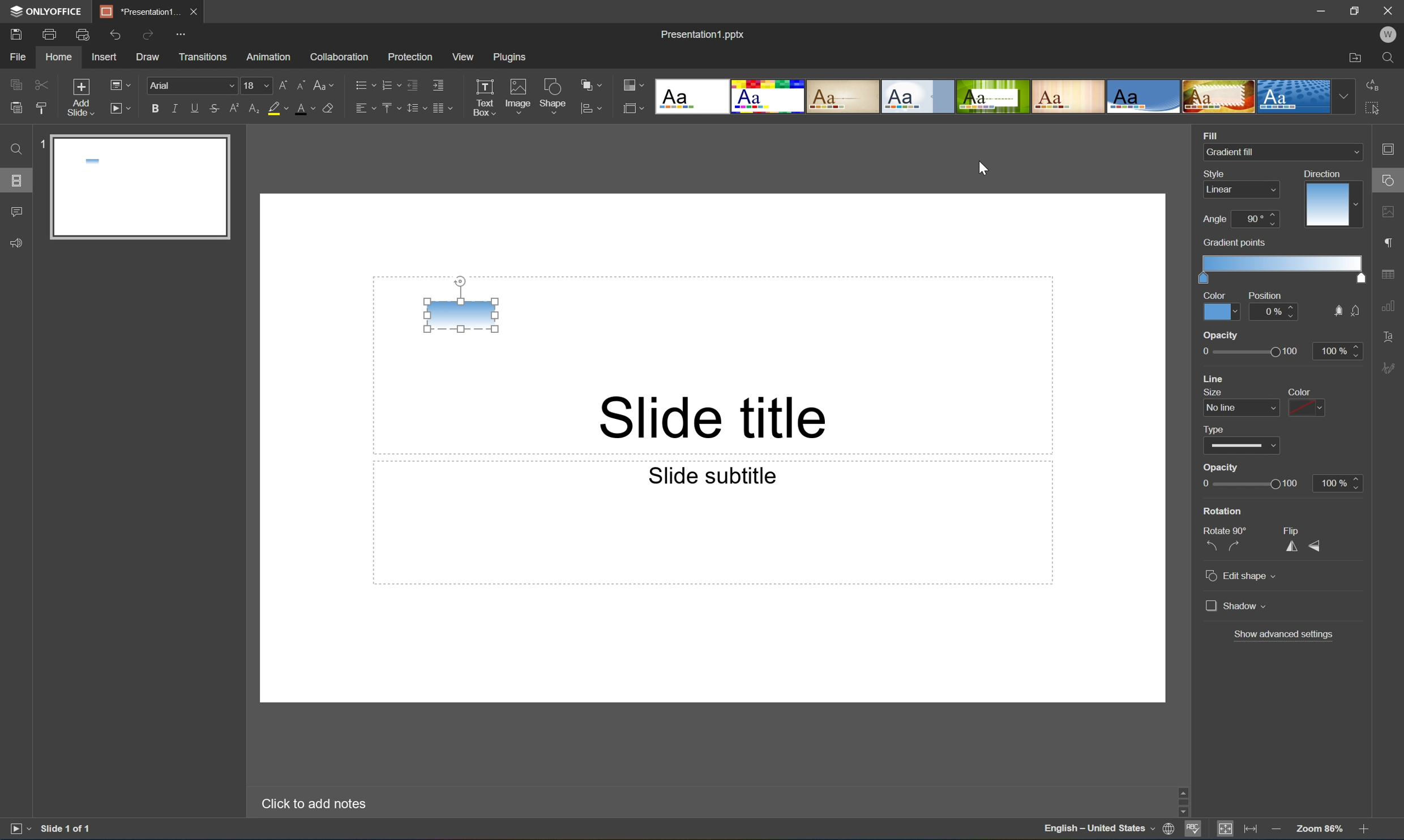 The height and width of the screenshot is (840, 1404). What do you see at coordinates (1327, 205) in the screenshot?
I see `Gradient direction` at bounding box center [1327, 205].